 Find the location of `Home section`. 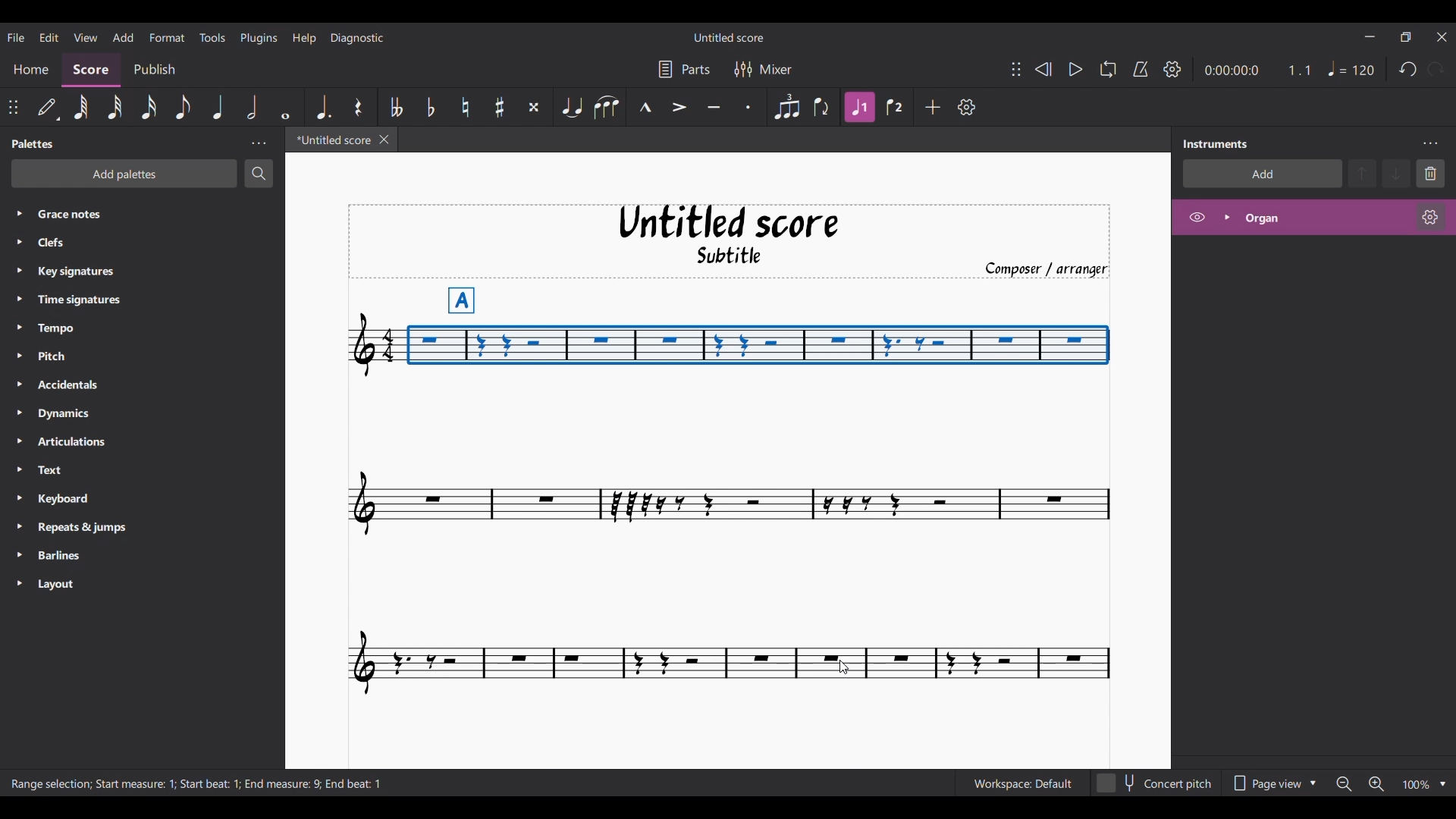

Home section is located at coordinates (32, 67).